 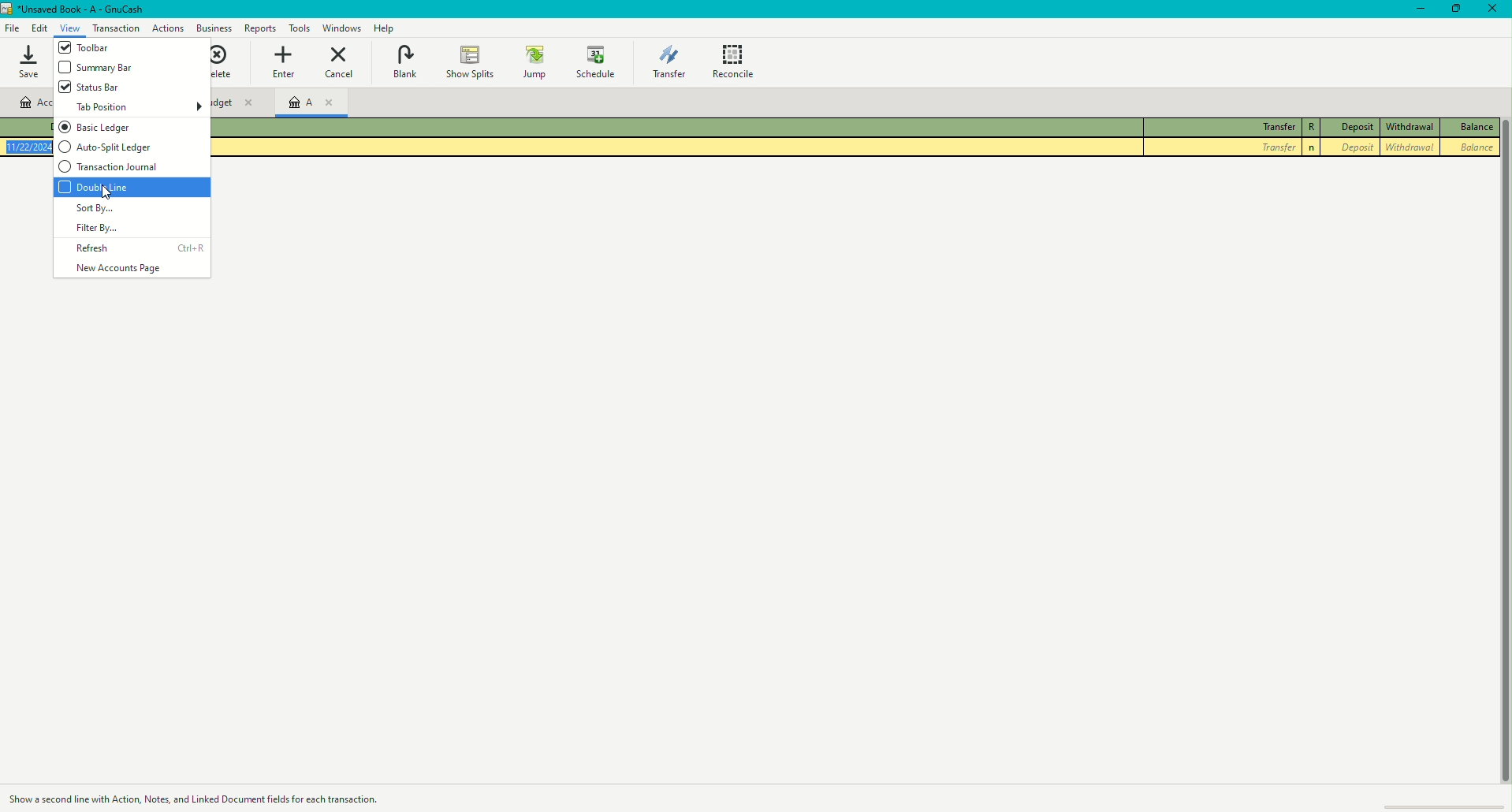 What do you see at coordinates (1458, 12) in the screenshot?
I see `Restore` at bounding box center [1458, 12].